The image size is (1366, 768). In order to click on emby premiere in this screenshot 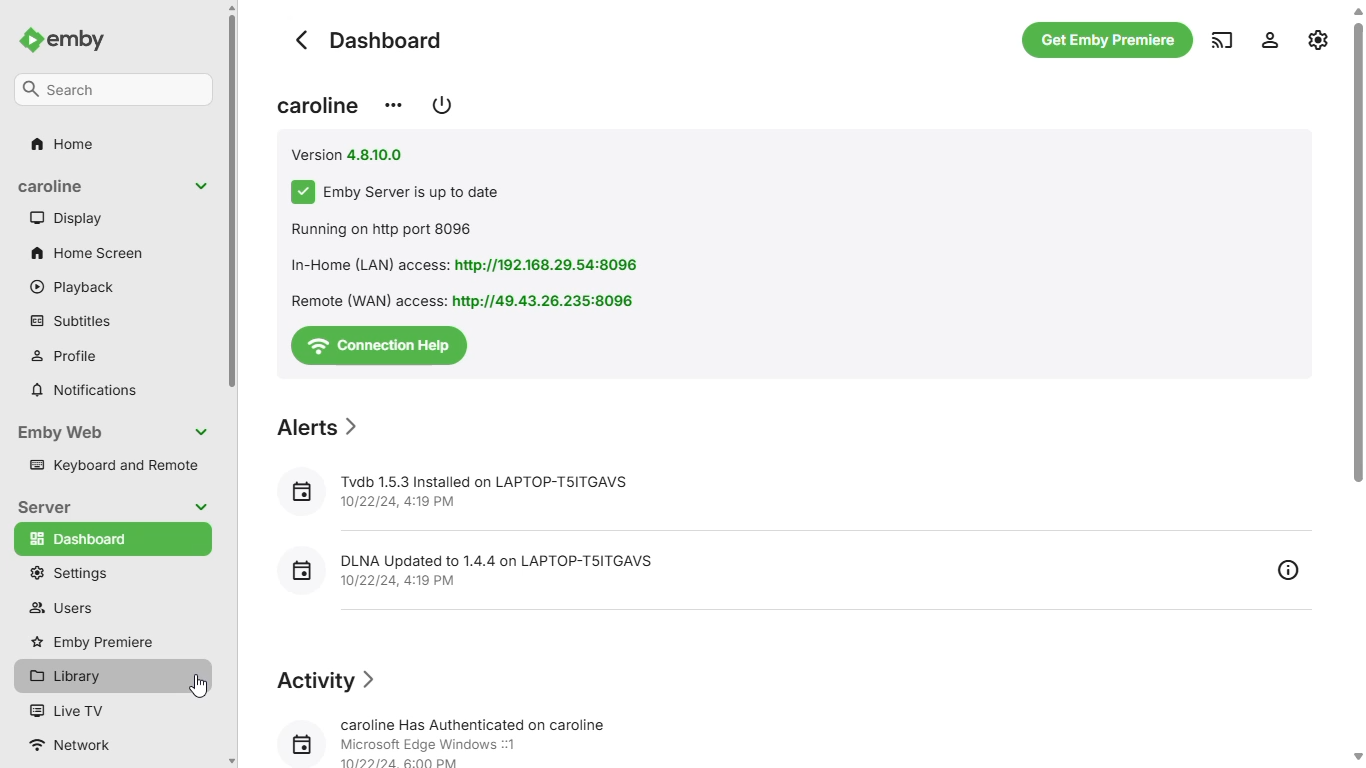, I will do `click(93, 641)`.